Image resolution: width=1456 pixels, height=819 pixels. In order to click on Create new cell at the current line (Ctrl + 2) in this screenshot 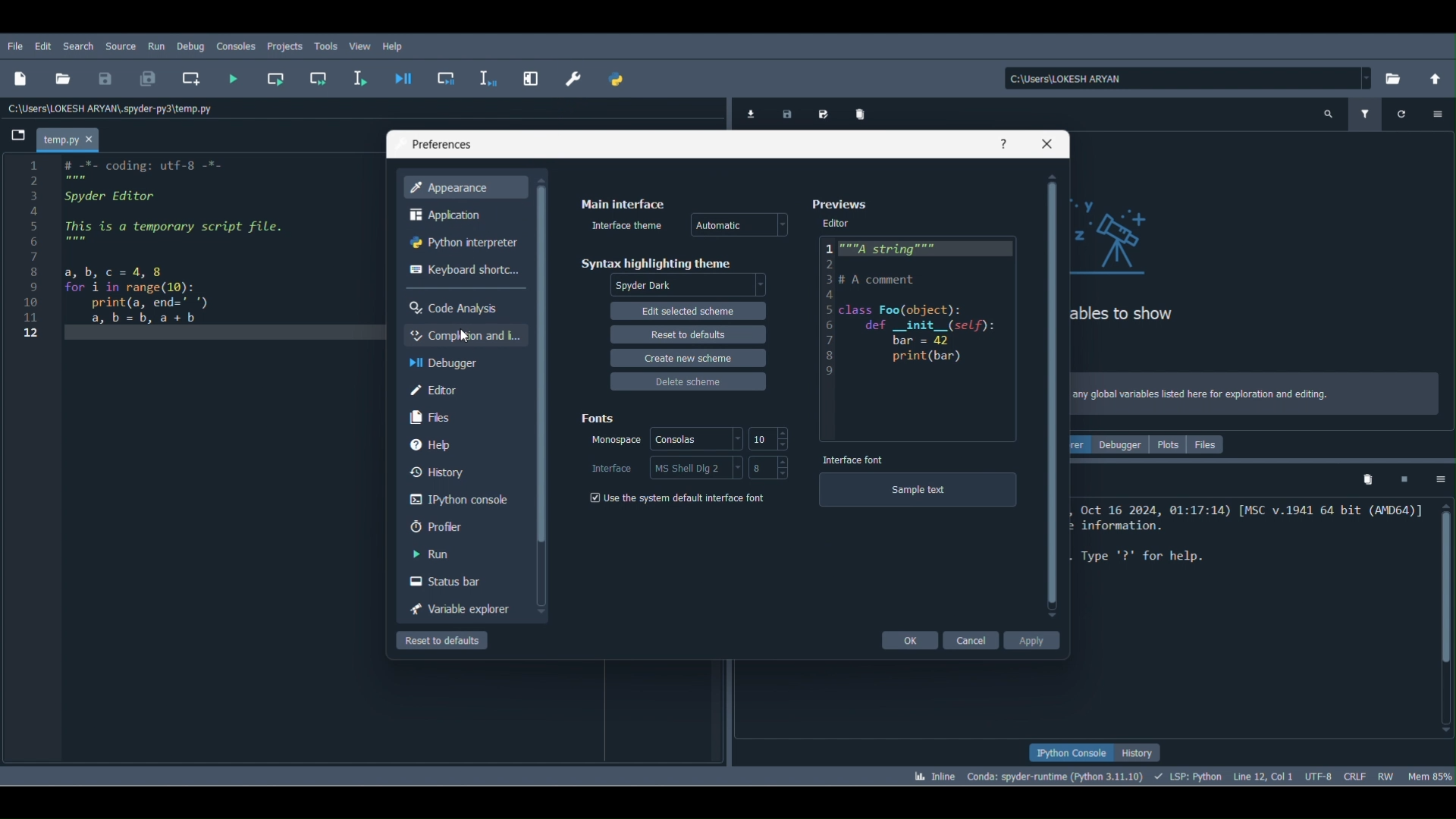, I will do `click(191, 78)`.